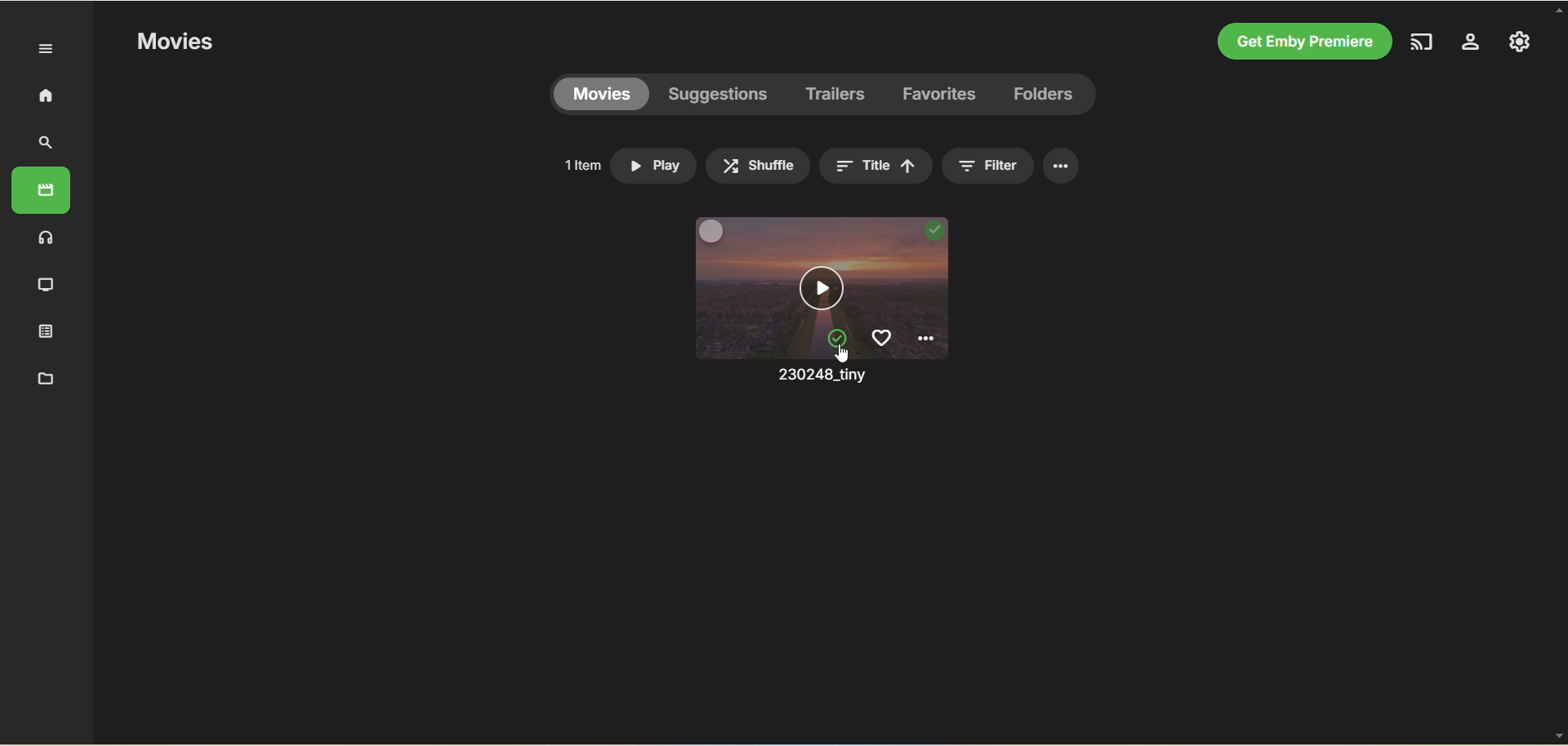  I want to click on 1 item, so click(579, 162).